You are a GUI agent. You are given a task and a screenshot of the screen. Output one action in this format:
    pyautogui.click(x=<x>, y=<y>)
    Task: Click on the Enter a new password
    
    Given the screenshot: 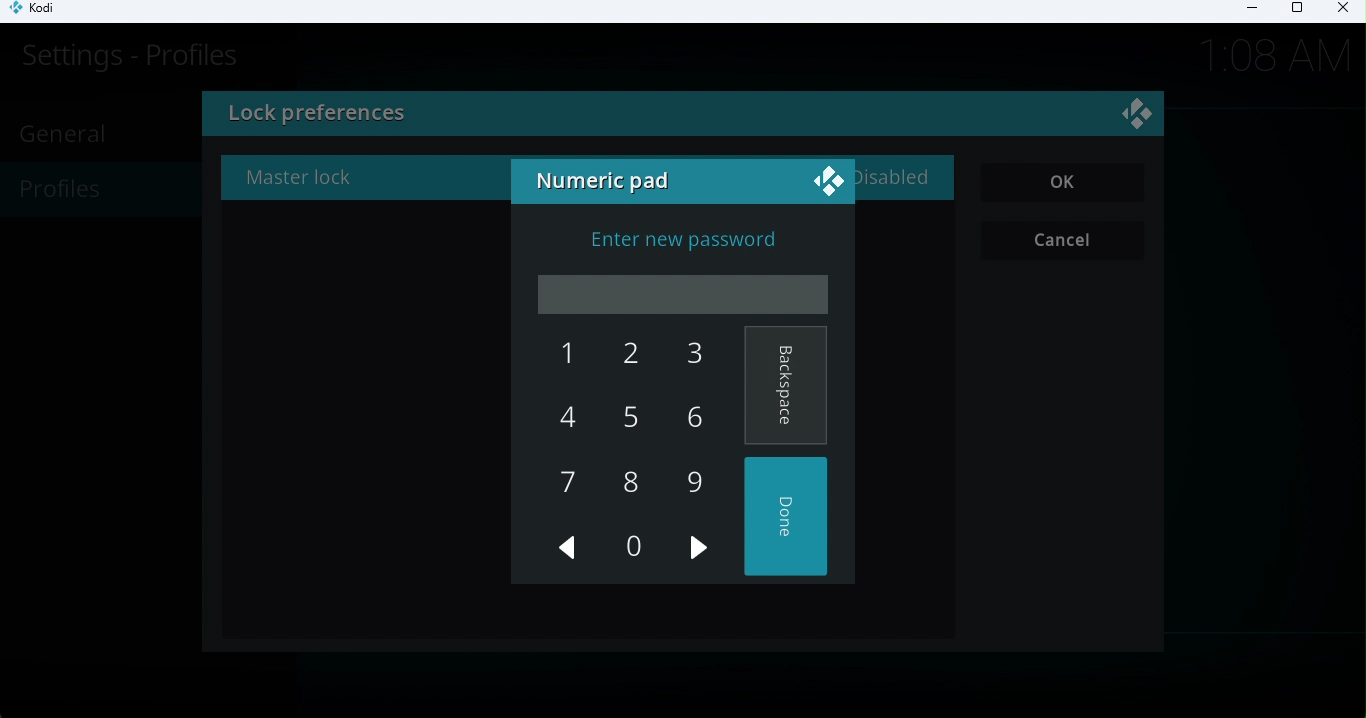 What is the action you would take?
    pyautogui.click(x=685, y=243)
    